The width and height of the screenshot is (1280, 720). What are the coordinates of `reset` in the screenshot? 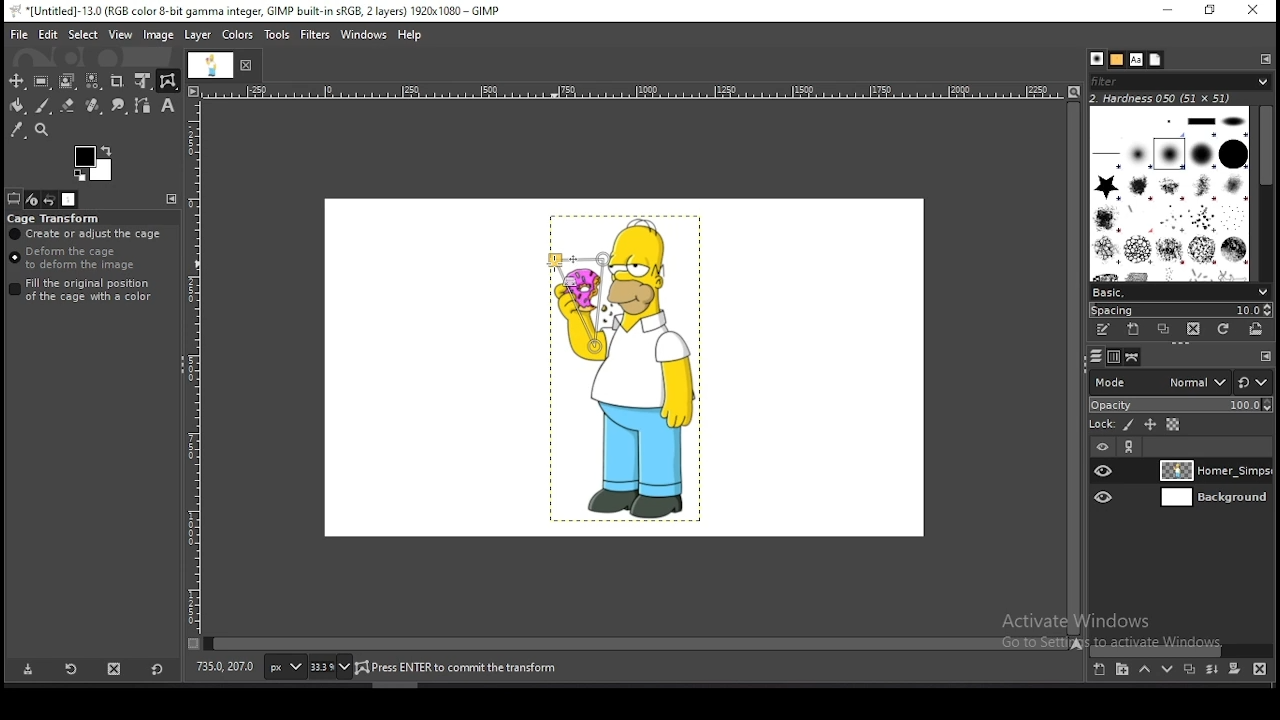 It's located at (156, 671).